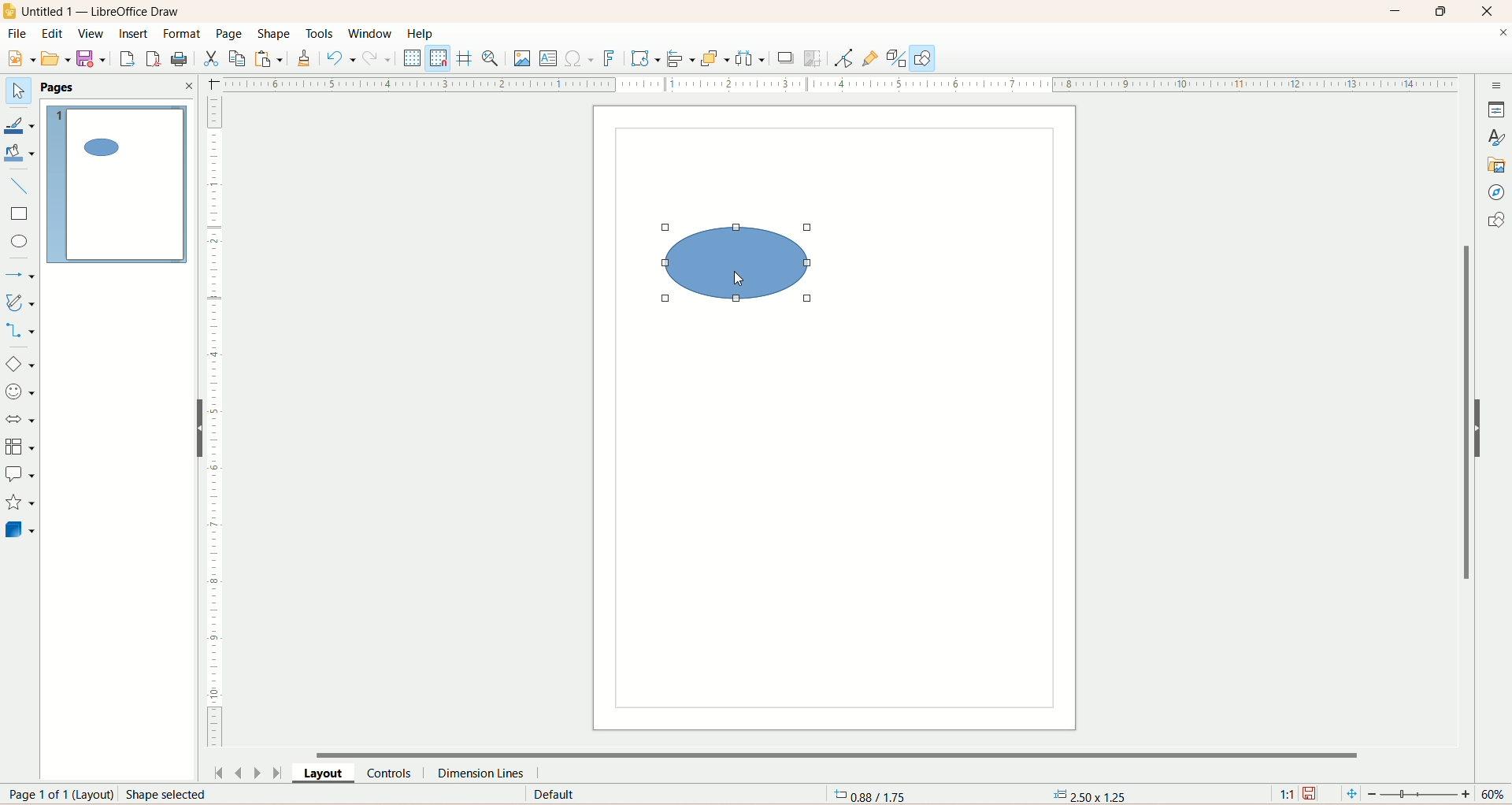  What do you see at coordinates (873, 58) in the screenshot?
I see `gluepoint function` at bounding box center [873, 58].